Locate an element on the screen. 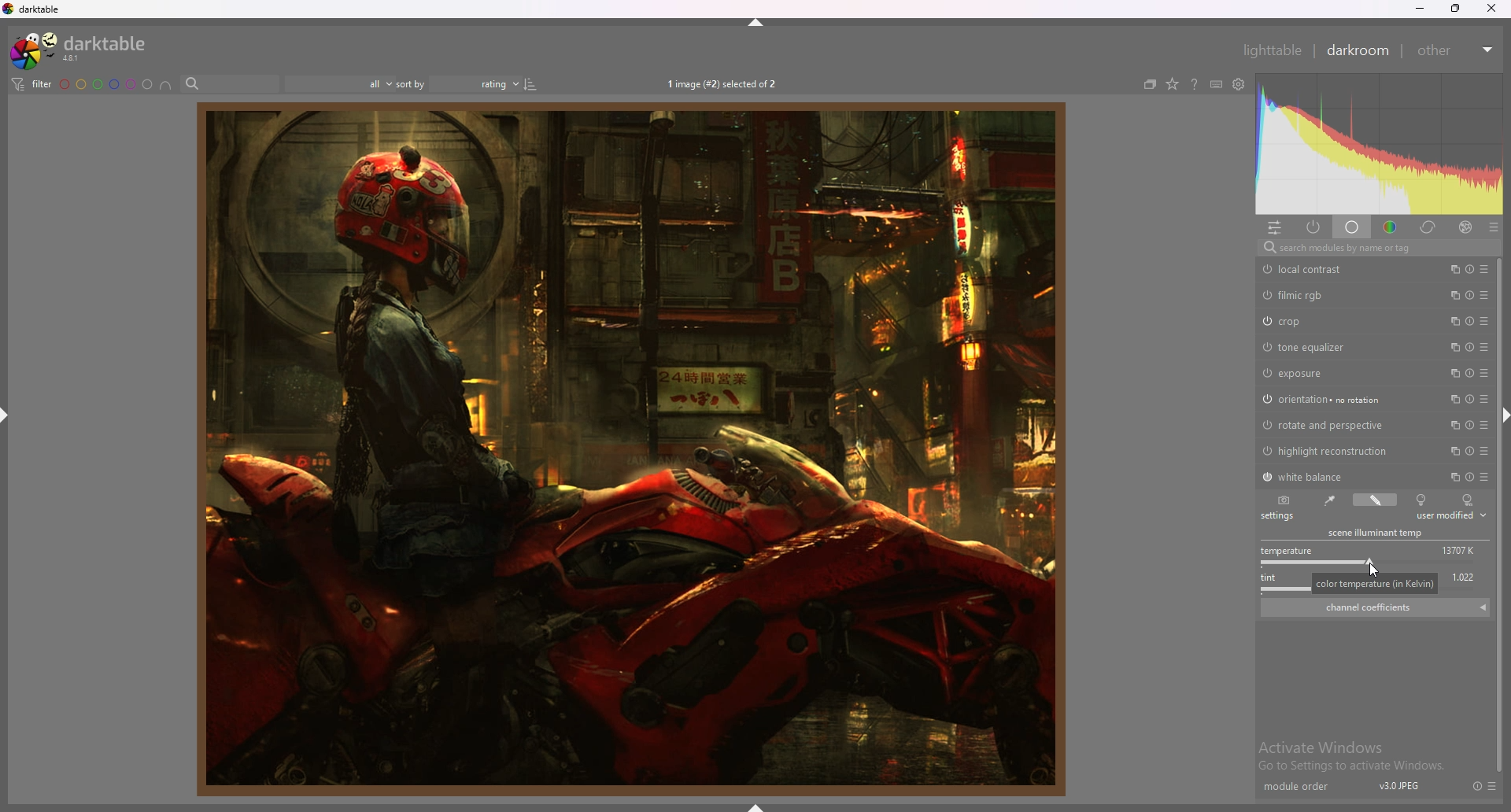  presets is located at coordinates (1484, 268).